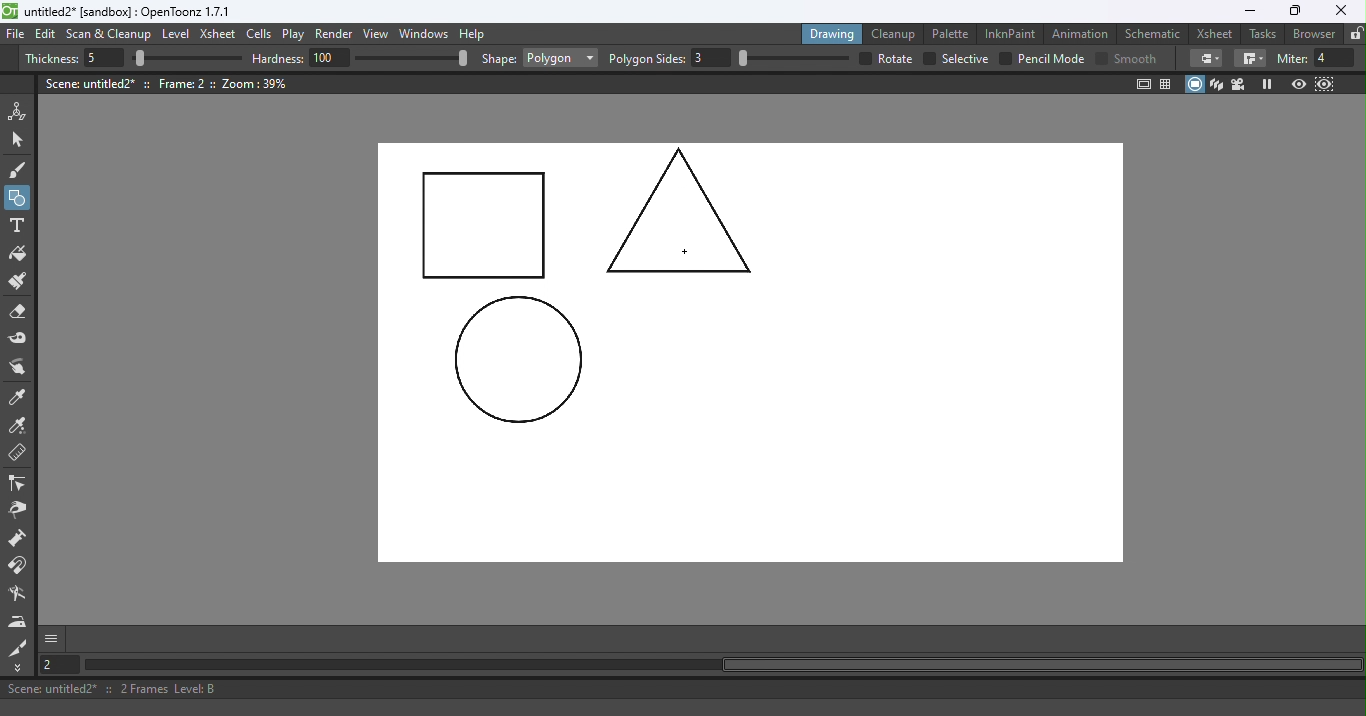 The width and height of the screenshot is (1366, 716). Describe the element at coordinates (10, 11) in the screenshot. I see `logo` at that location.